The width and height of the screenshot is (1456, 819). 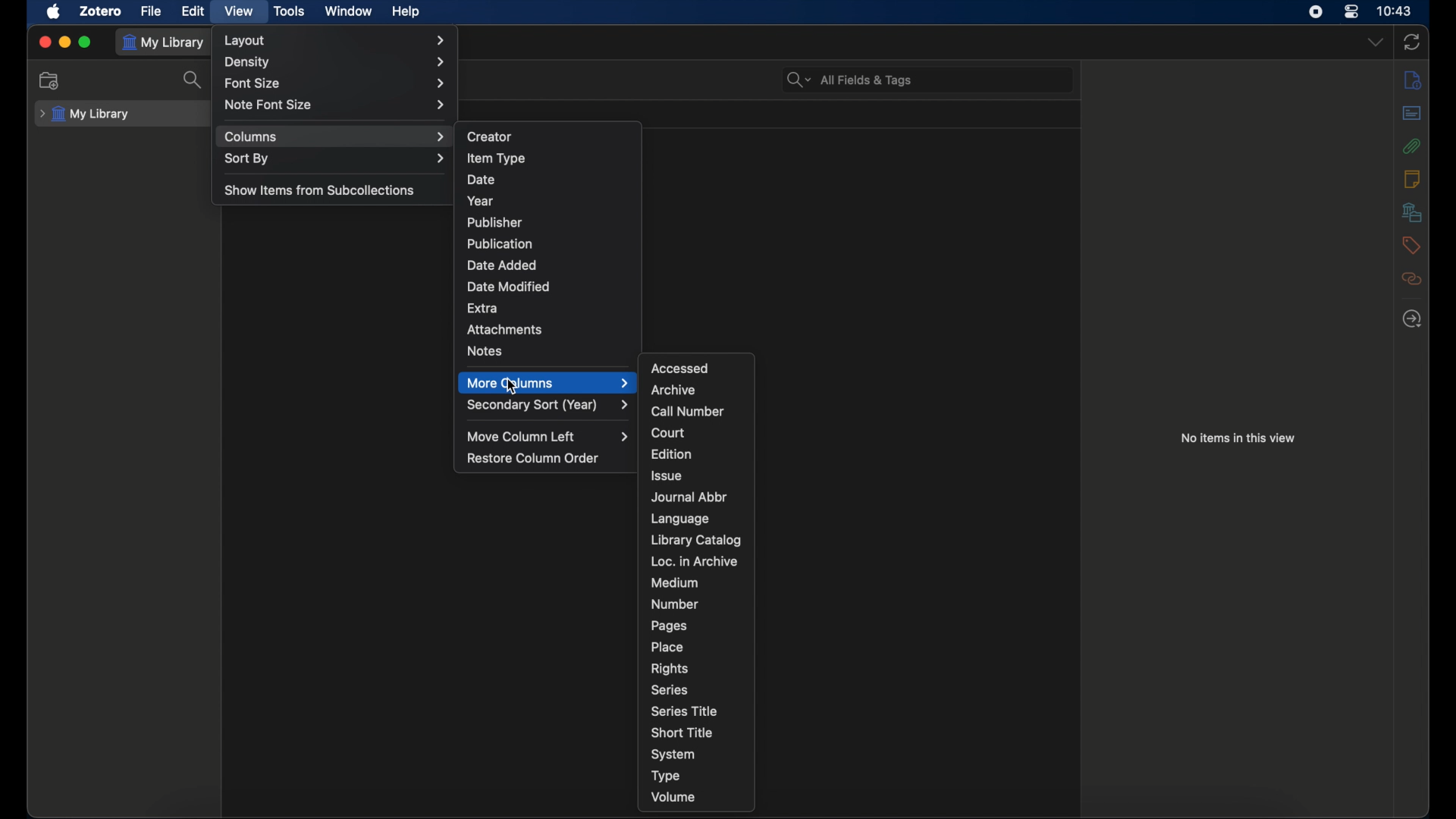 What do you see at coordinates (484, 351) in the screenshot?
I see `notes` at bounding box center [484, 351].